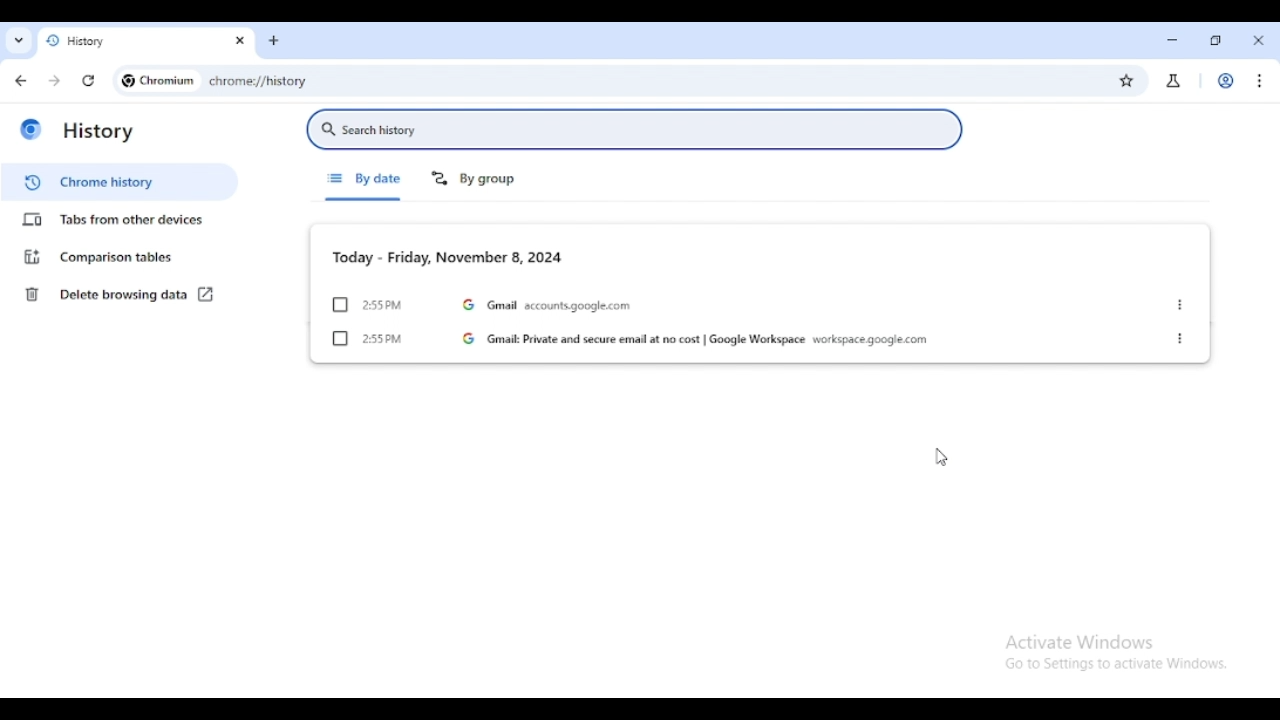  I want to click on click to go forward, so click(54, 81).